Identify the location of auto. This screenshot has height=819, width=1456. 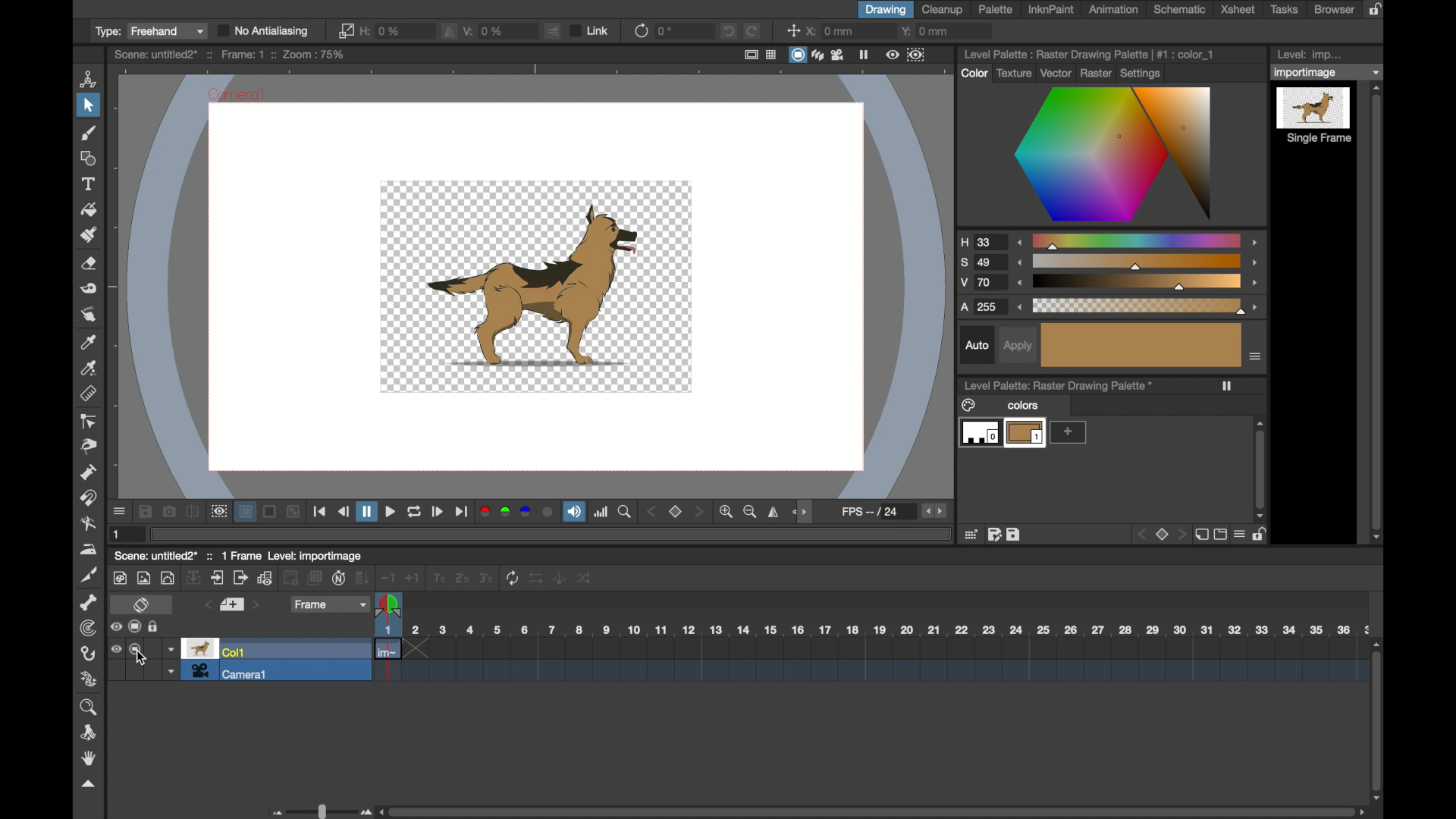
(977, 345).